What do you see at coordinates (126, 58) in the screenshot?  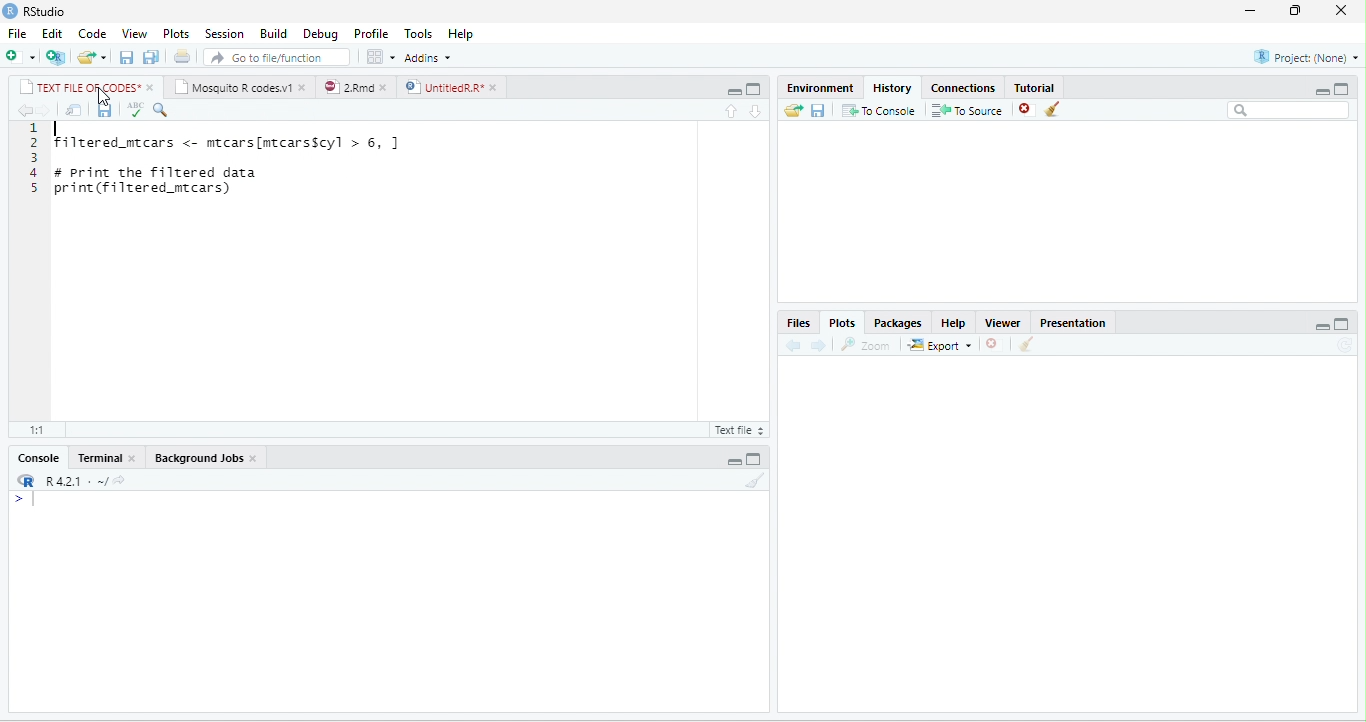 I see `save` at bounding box center [126, 58].